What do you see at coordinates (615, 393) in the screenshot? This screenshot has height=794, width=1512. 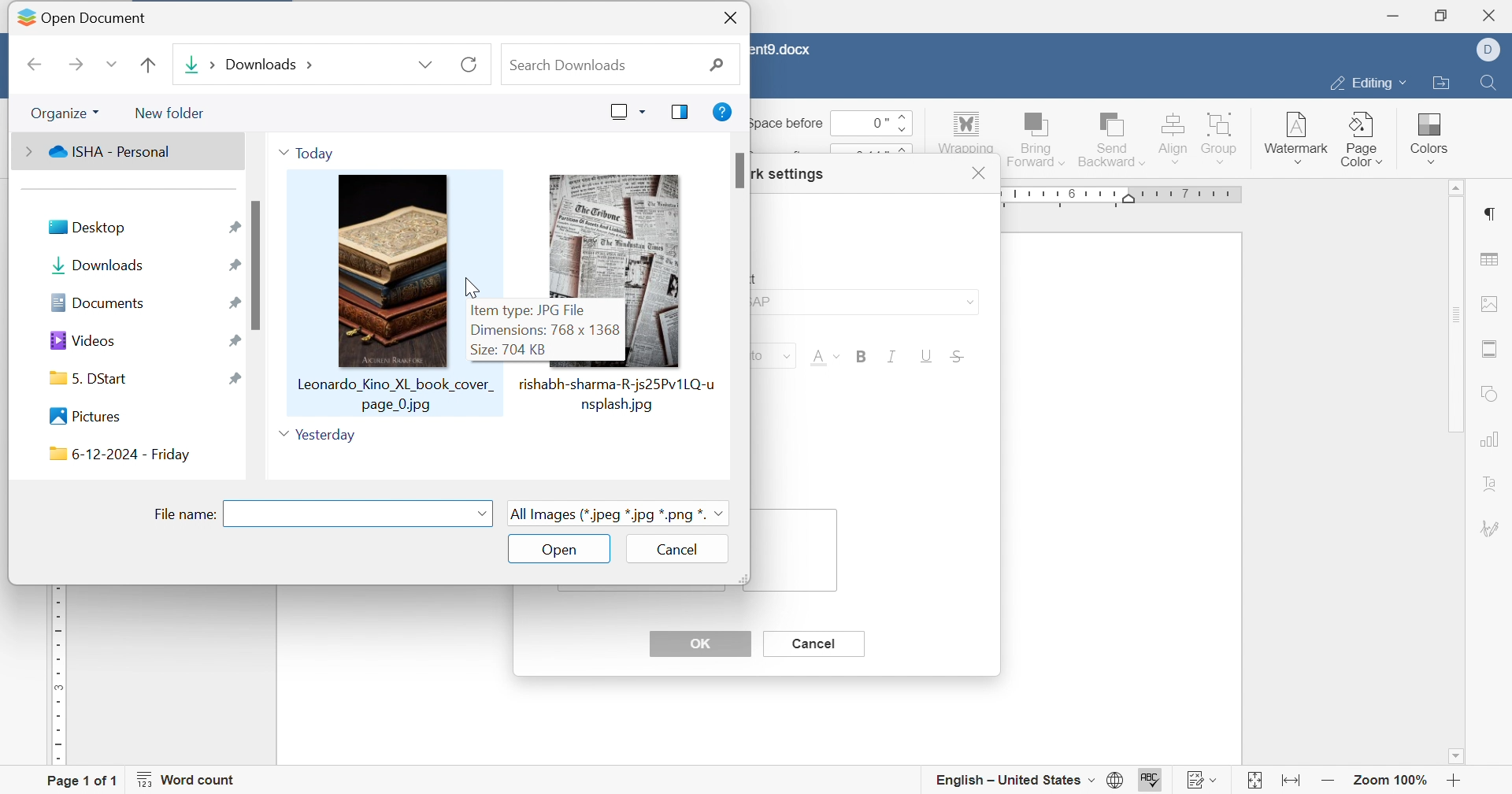 I see `image name` at bounding box center [615, 393].